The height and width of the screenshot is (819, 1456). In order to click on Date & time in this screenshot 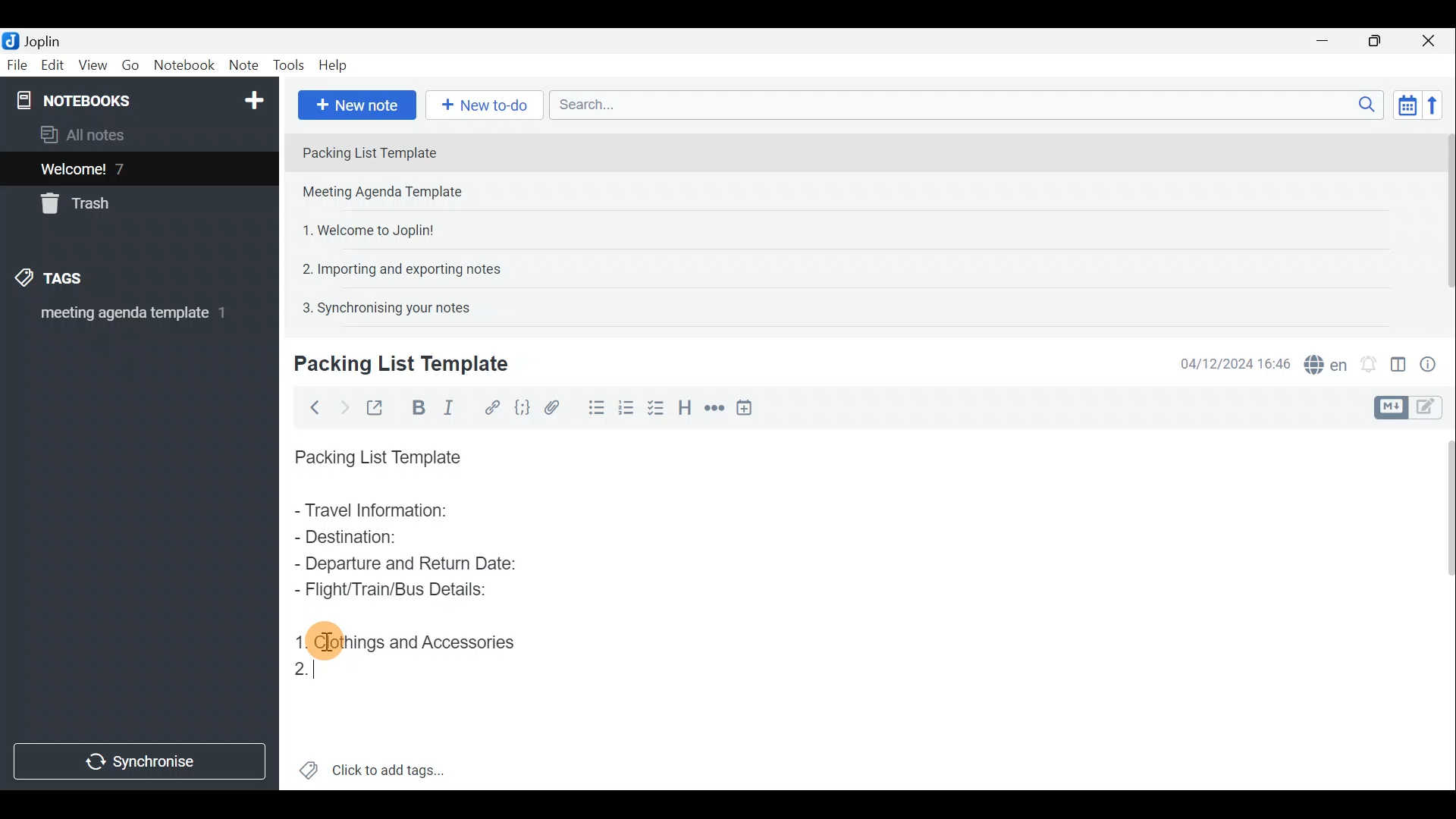, I will do `click(1235, 362)`.